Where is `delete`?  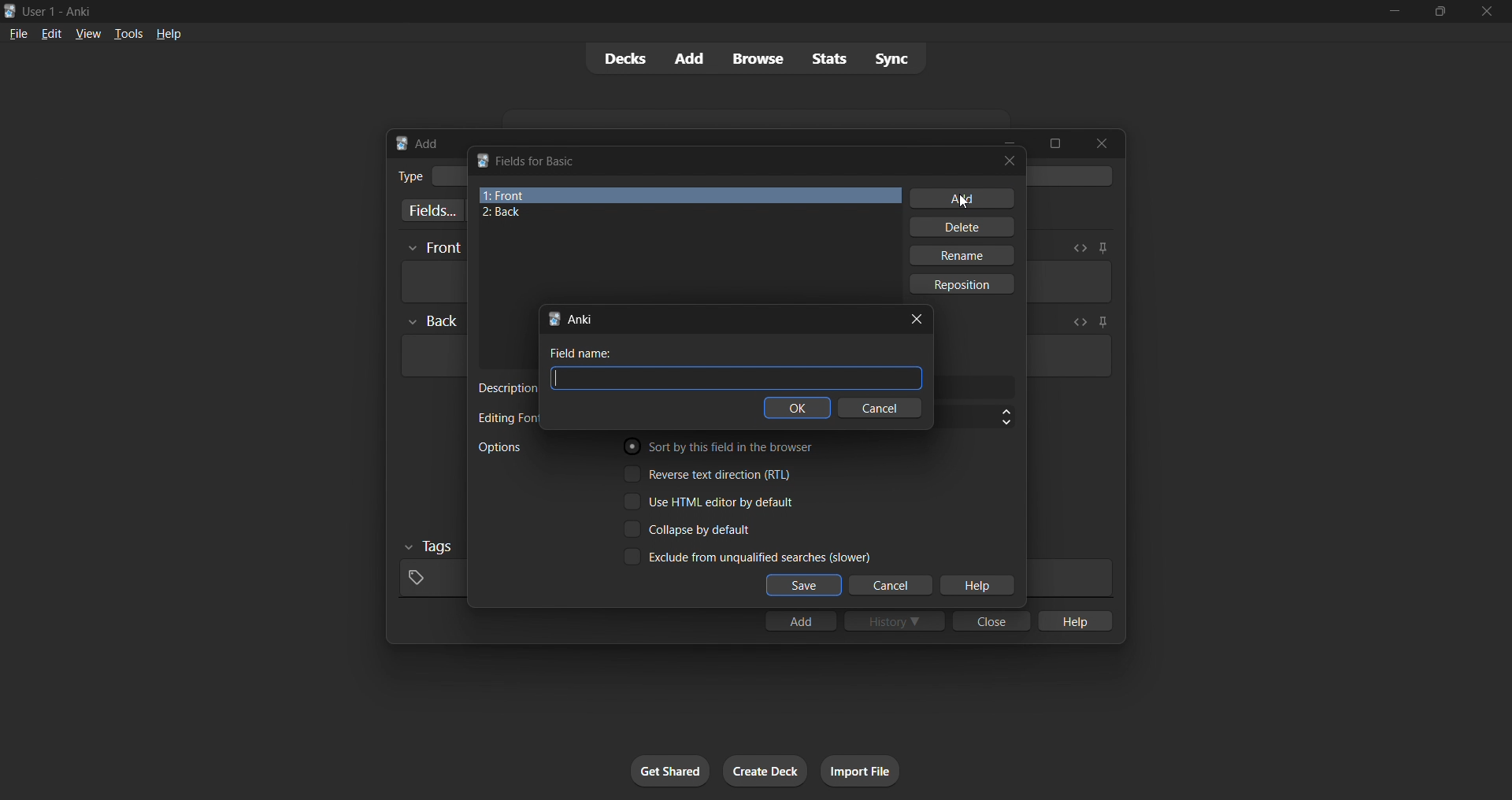
delete is located at coordinates (964, 227).